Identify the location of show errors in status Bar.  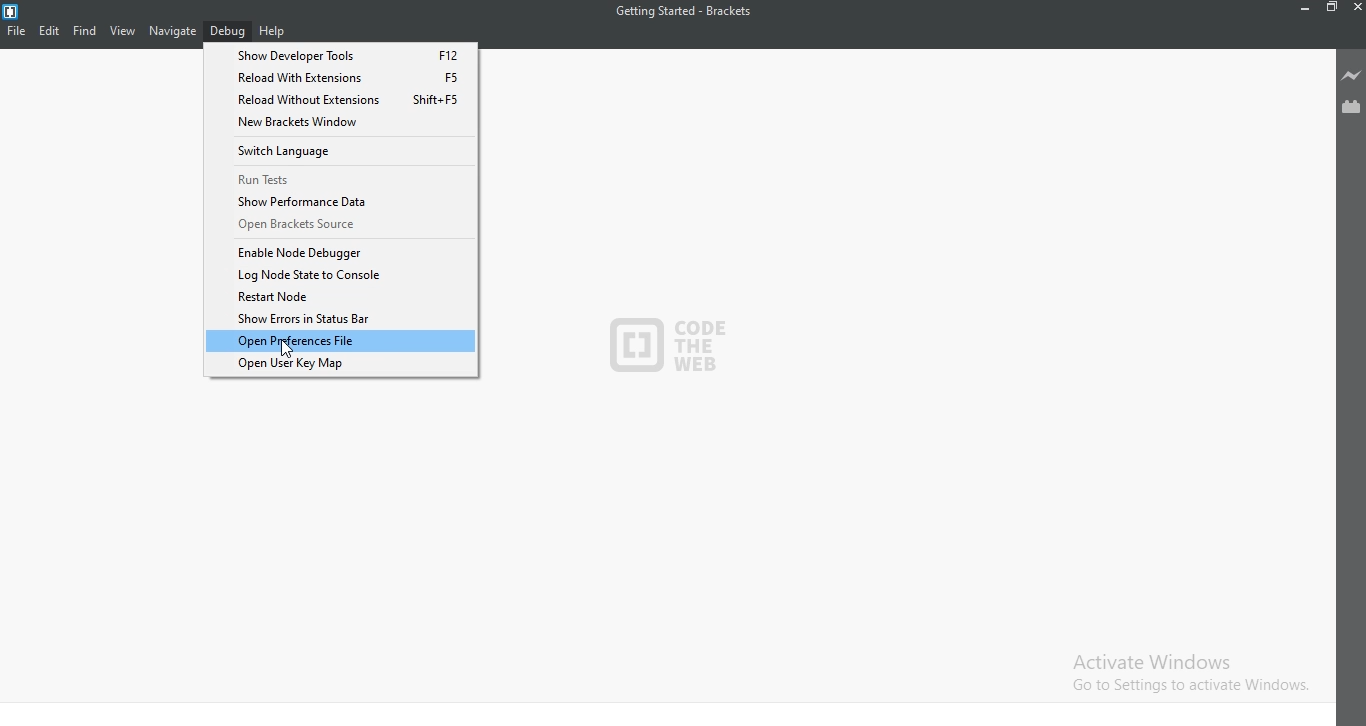
(339, 319).